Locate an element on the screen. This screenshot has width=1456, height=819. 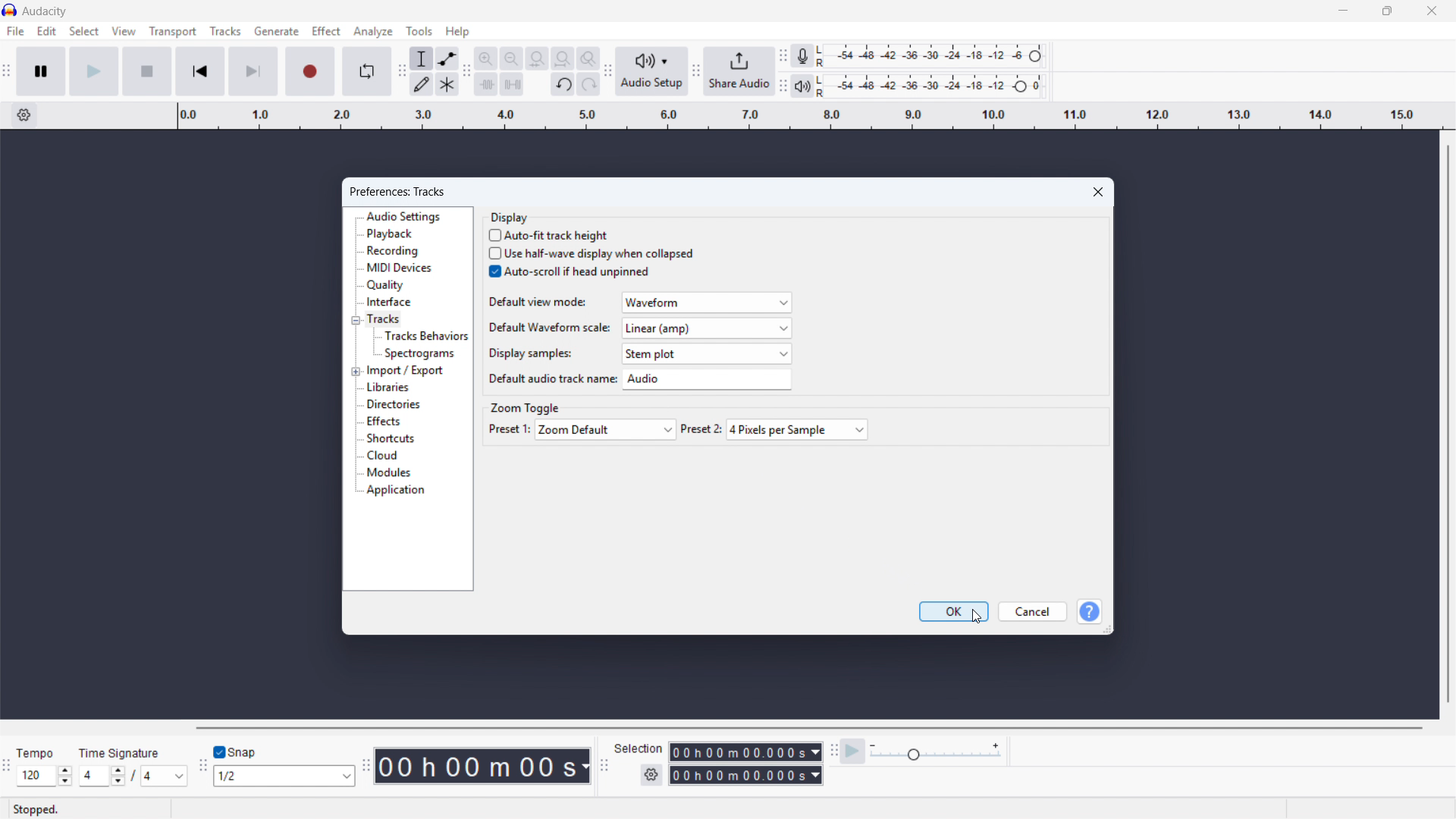
cloud is located at coordinates (383, 455).